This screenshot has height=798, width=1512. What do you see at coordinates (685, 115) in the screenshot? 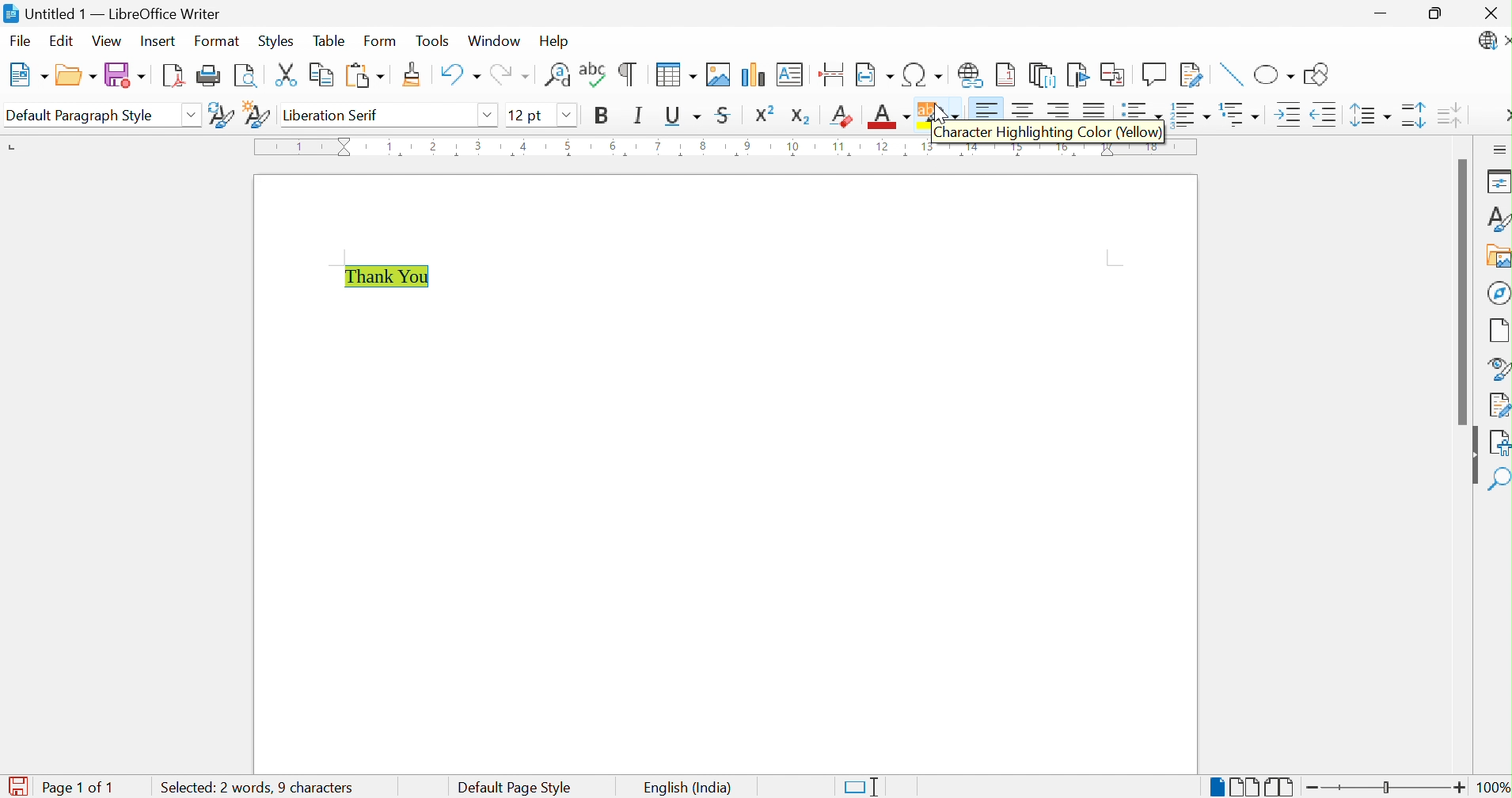
I see `Underline` at bounding box center [685, 115].